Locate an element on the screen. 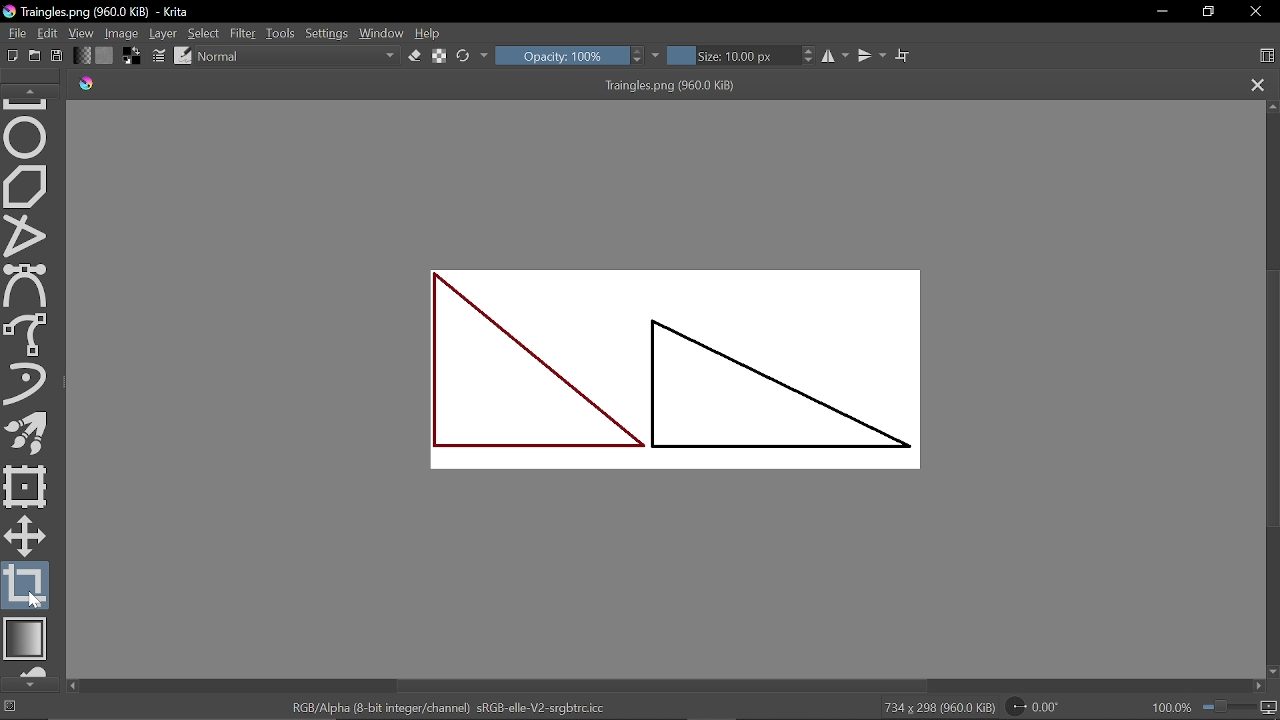 Image resolution: width=1280 pixels, height=720 pixels. Foreground color is located at coordinates (133, 55).